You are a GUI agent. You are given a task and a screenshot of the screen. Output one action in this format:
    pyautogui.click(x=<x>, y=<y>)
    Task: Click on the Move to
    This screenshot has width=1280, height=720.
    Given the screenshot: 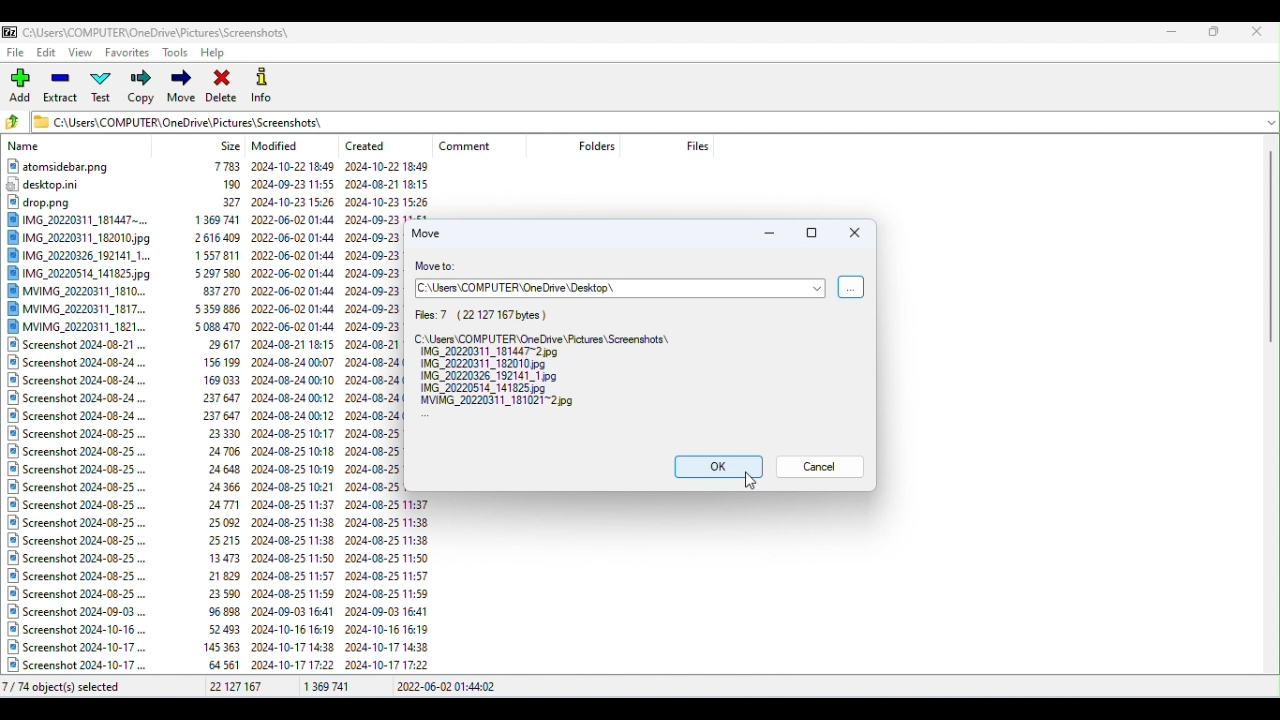 What is the action you would take?
    pyautogui.click(x=443, y=267)
    